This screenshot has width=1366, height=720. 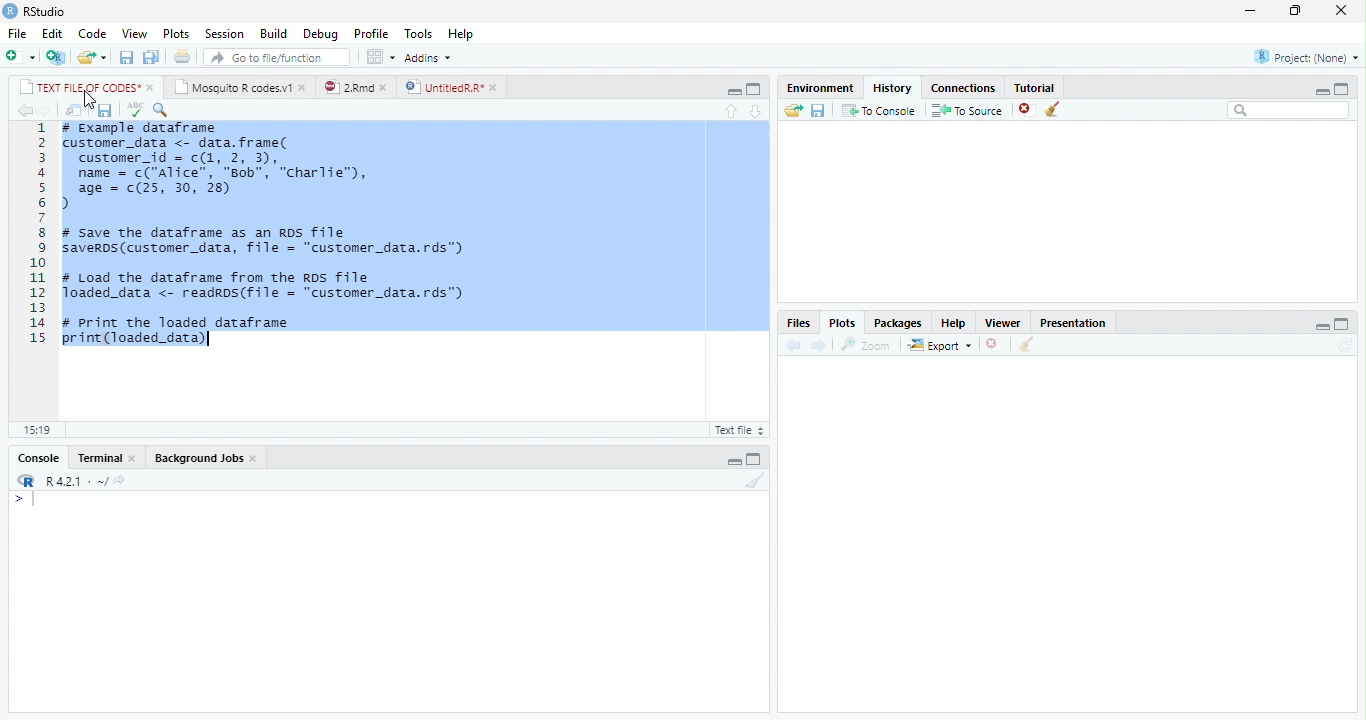 What do you see at coordinates (1295, 11) in the screenshot?
I see `restore` at bounding box center [1295, 11].